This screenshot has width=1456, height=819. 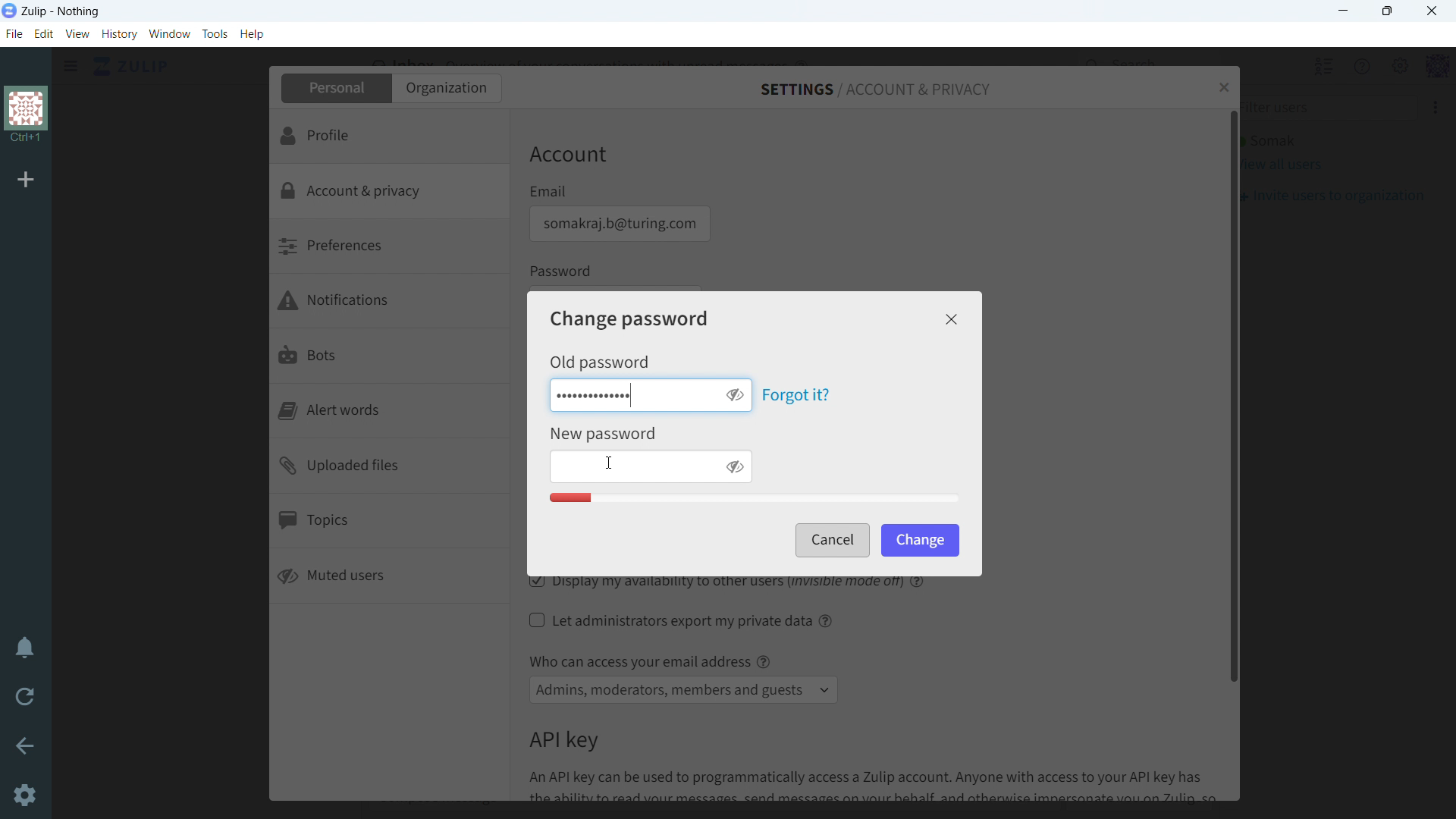 I want to click on minimize, so click(x=1345, y=11).